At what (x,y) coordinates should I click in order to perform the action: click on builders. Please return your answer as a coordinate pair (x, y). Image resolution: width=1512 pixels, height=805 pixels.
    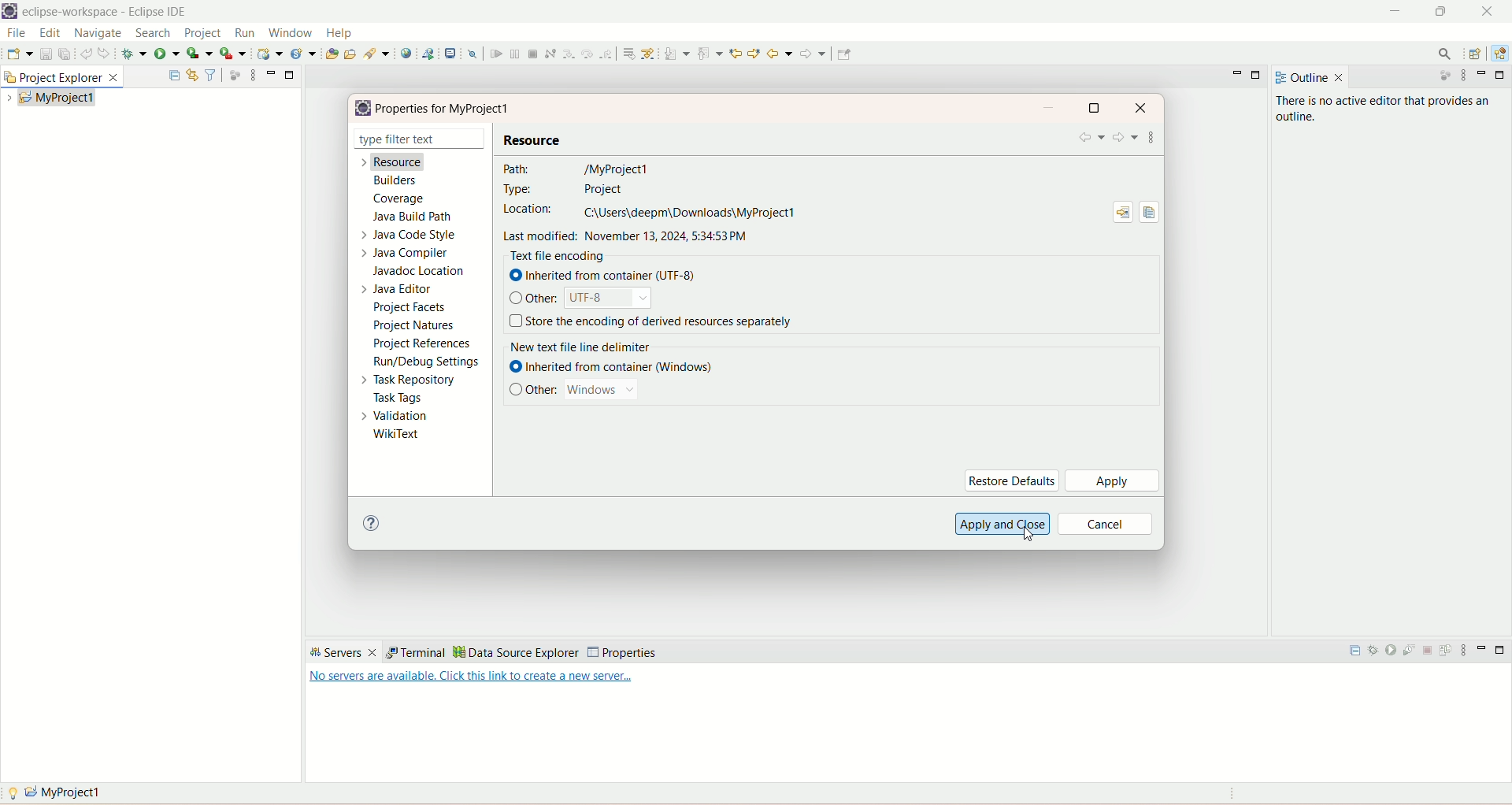
    Looking at the image, I should click on (395, 181).